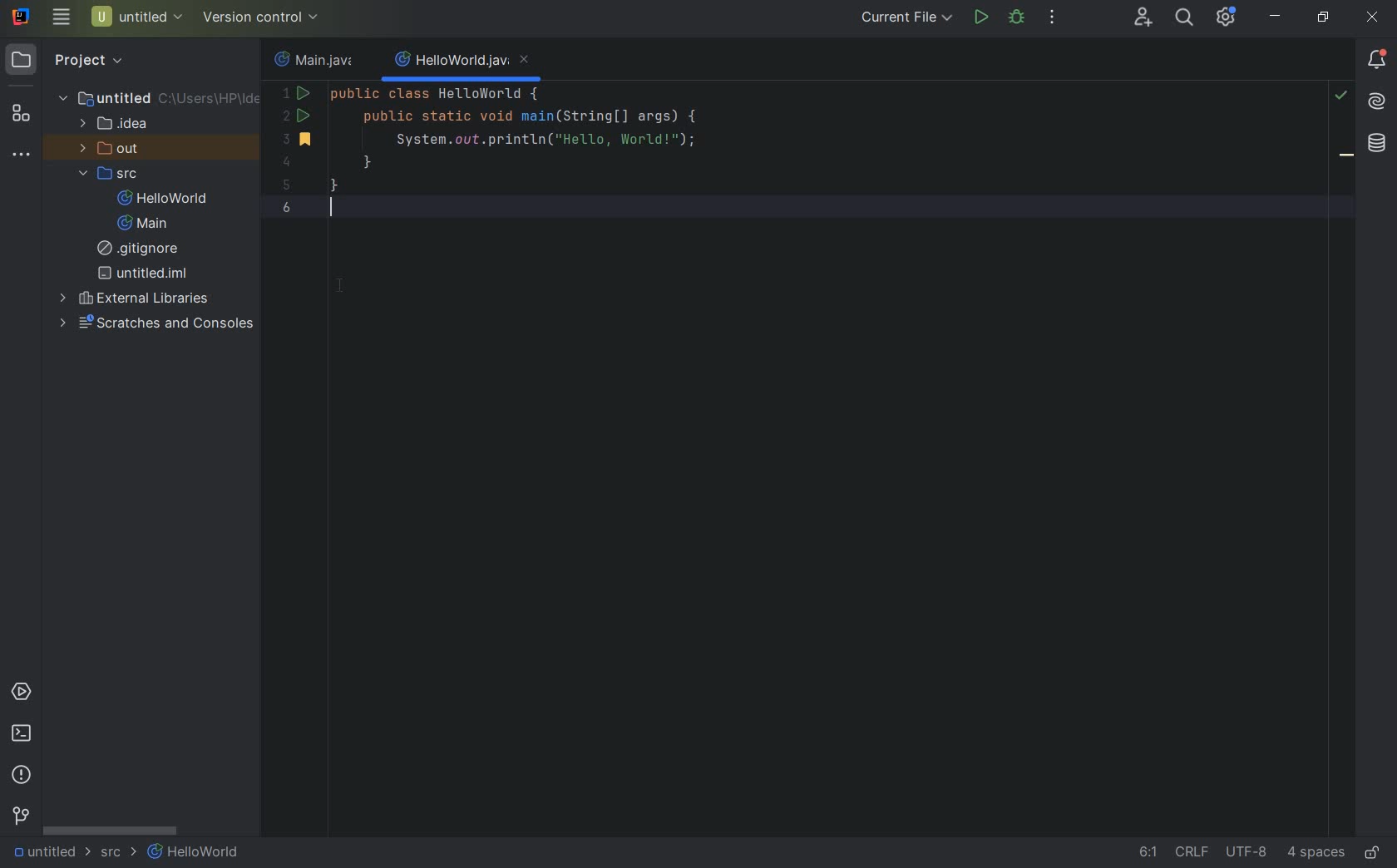  What do you see at coordinates (22, 17) in the screenshot?
I see `system name` at bounding box center [22, 17].